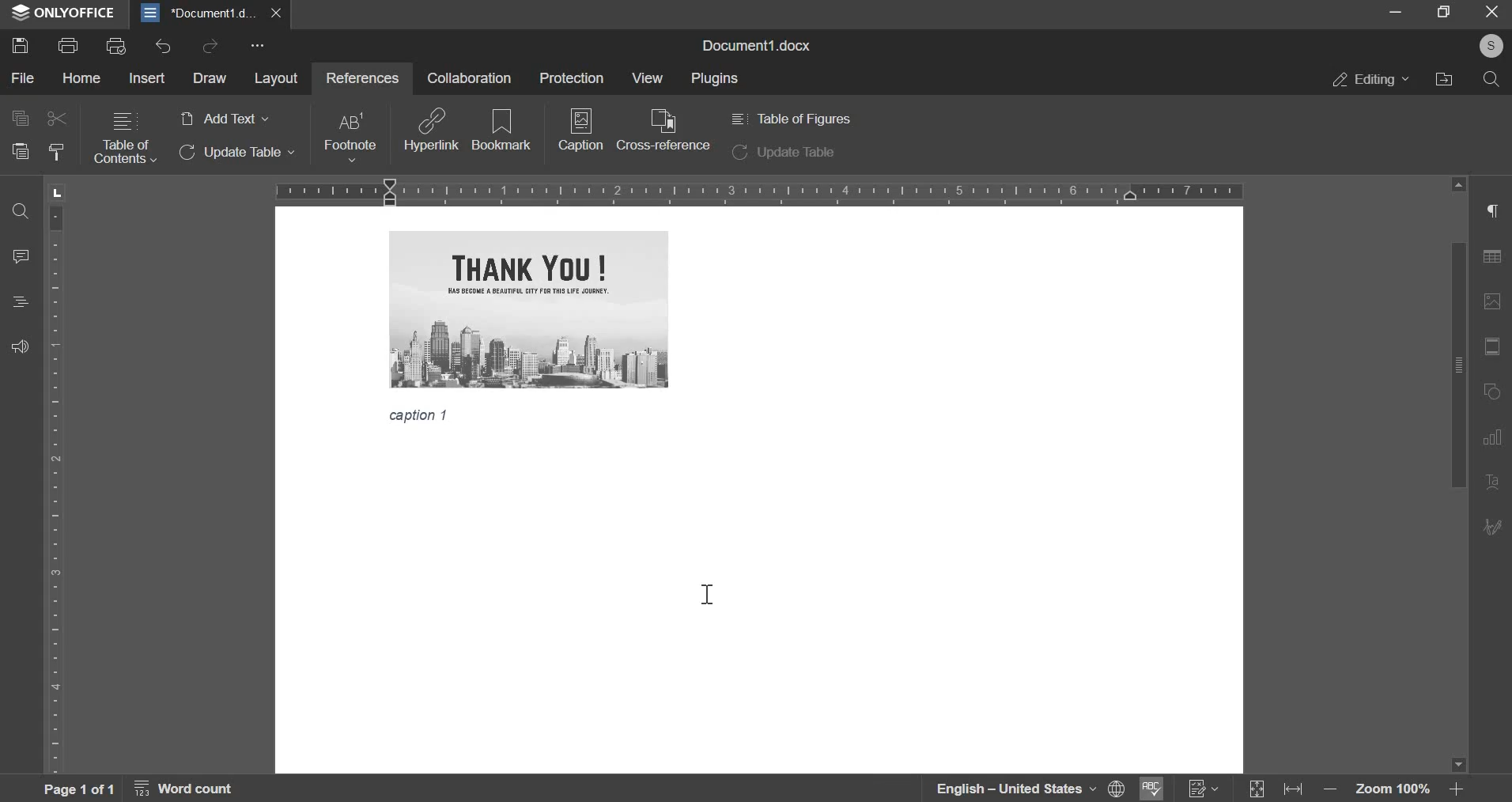 This screenshot has height=802, width=1512. What do you see at coordinates (209, 78) in the screenshot?
I see `draw` at bounding box center [209, 78].